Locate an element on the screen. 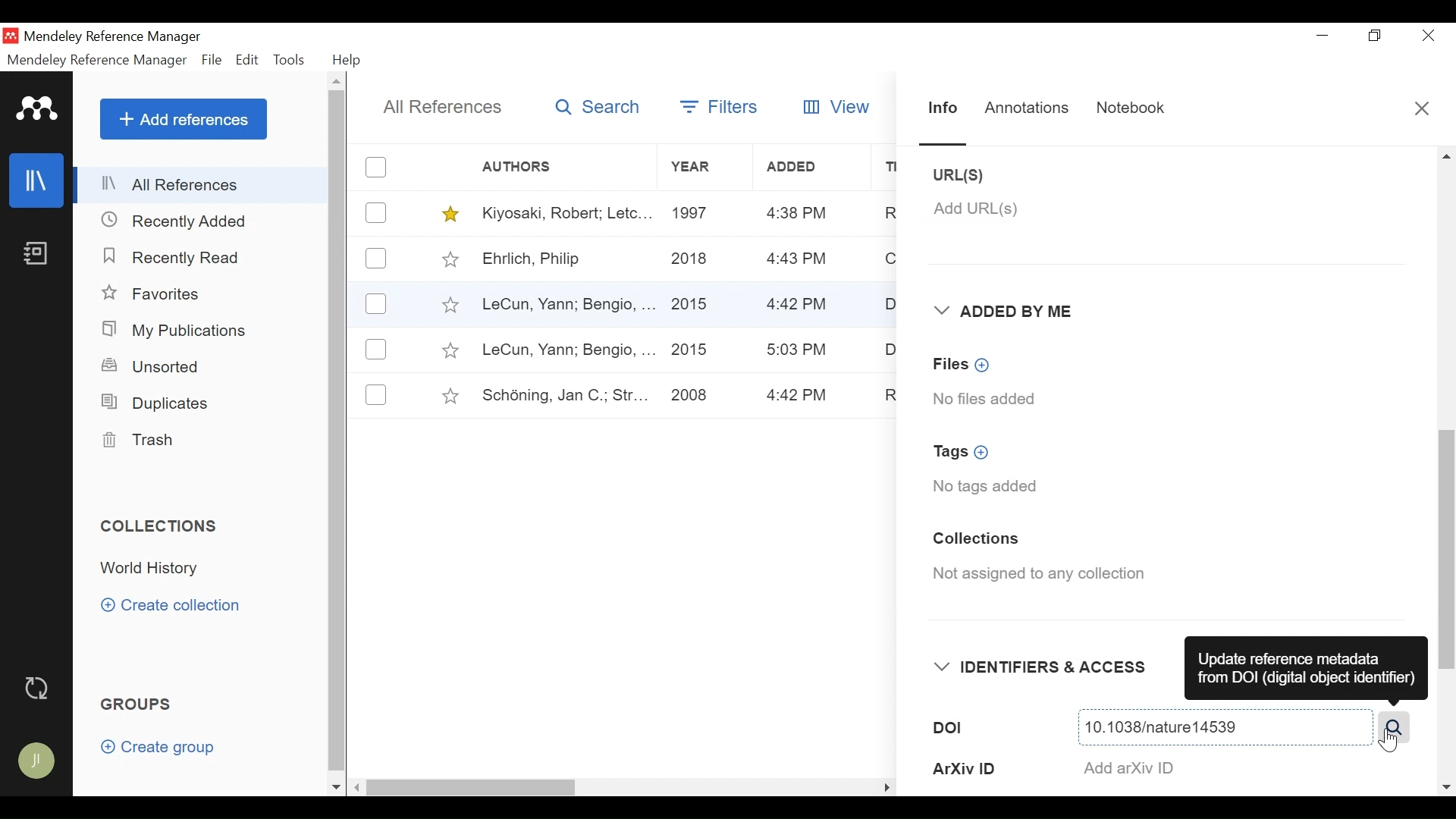 This screenshot has height=819, width=1456. Identifiers & Access is located at coordinates (1044, 667).